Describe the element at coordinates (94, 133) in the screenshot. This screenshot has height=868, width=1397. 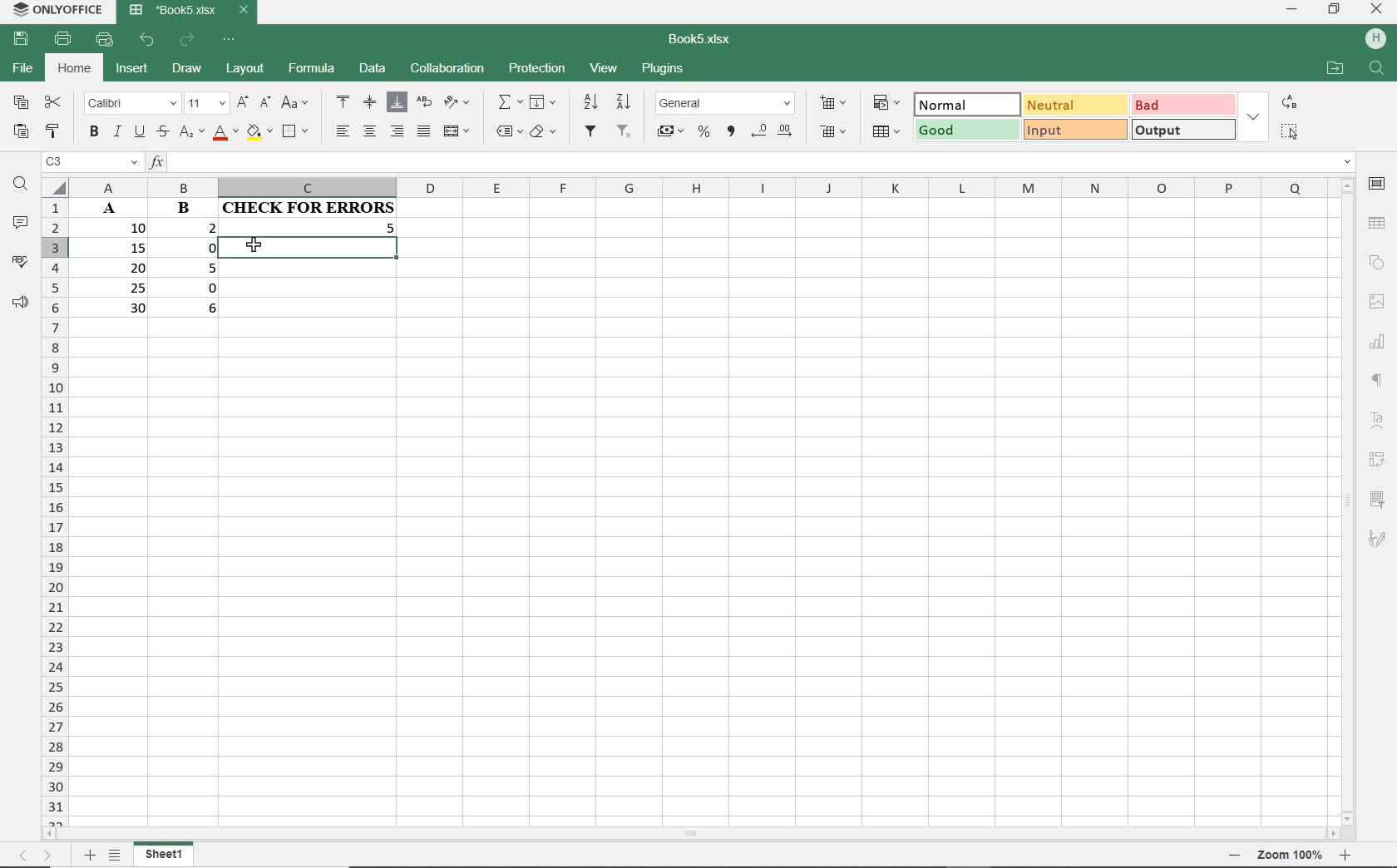
I see `BOLD` at that location.